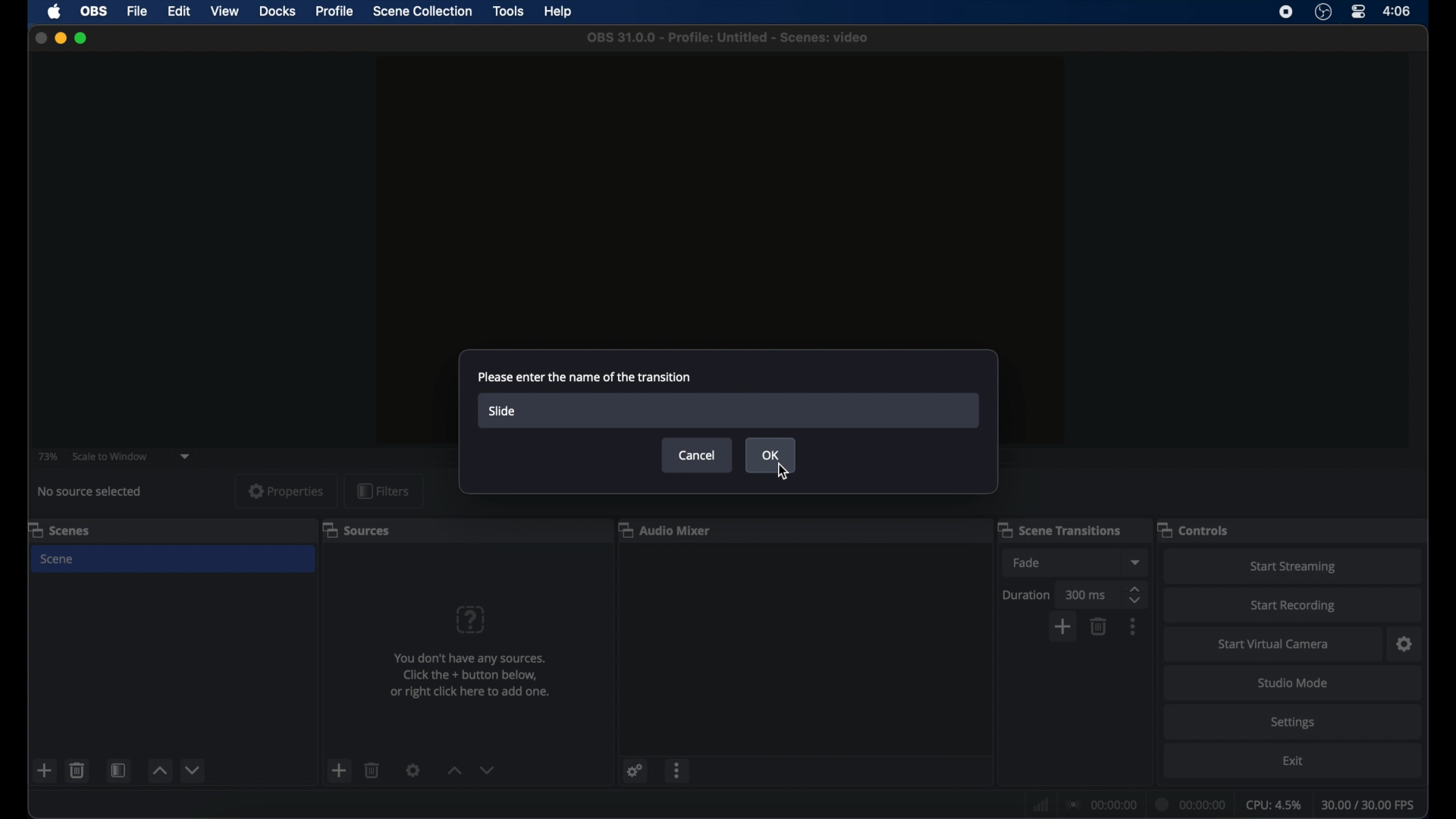  I want to click on no source selected, so click(90, 491).